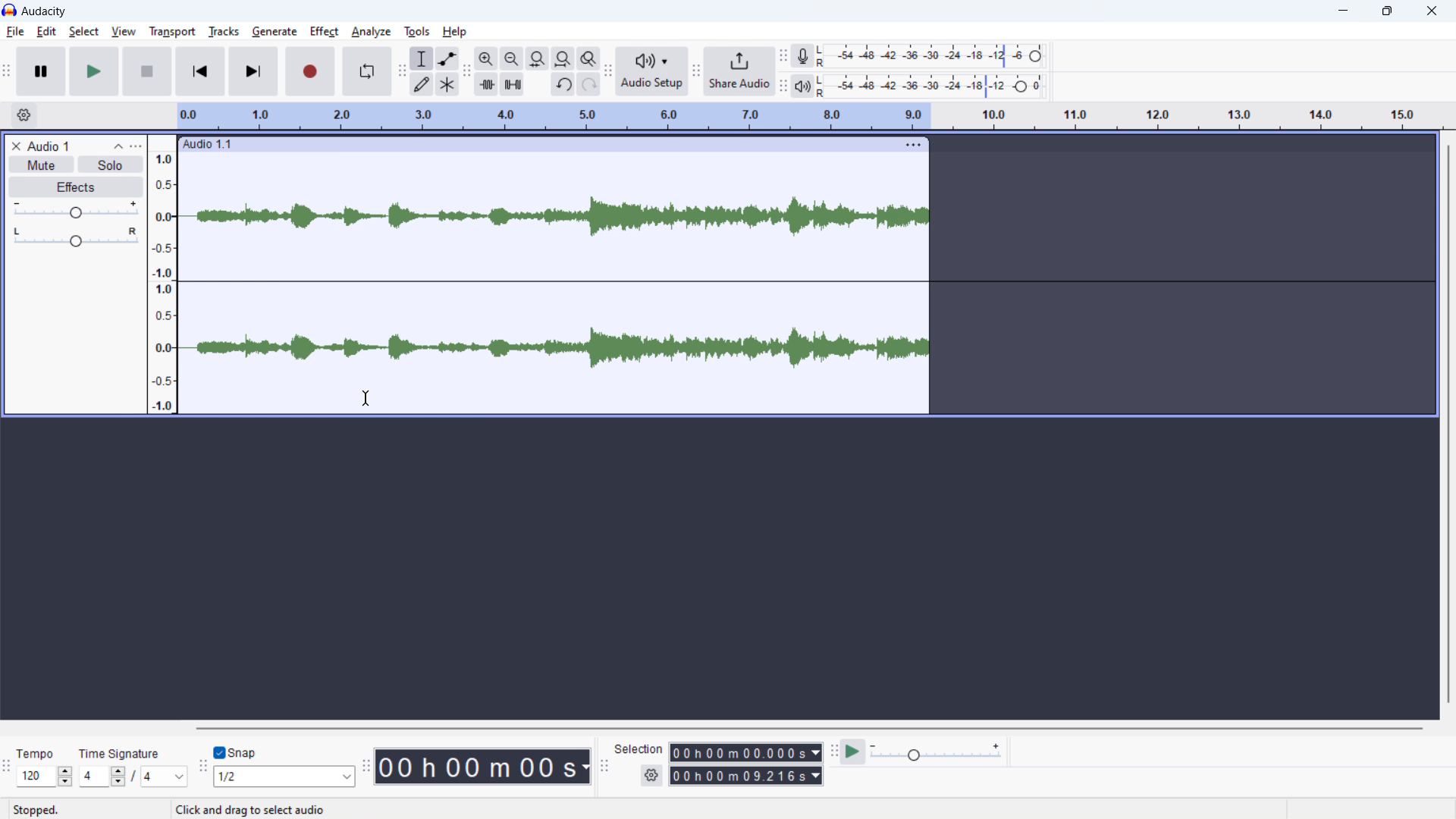  What do you see at coordinates (803, 86) in the screenshot?
I see `playback meter` at bounding box center [803, 86].